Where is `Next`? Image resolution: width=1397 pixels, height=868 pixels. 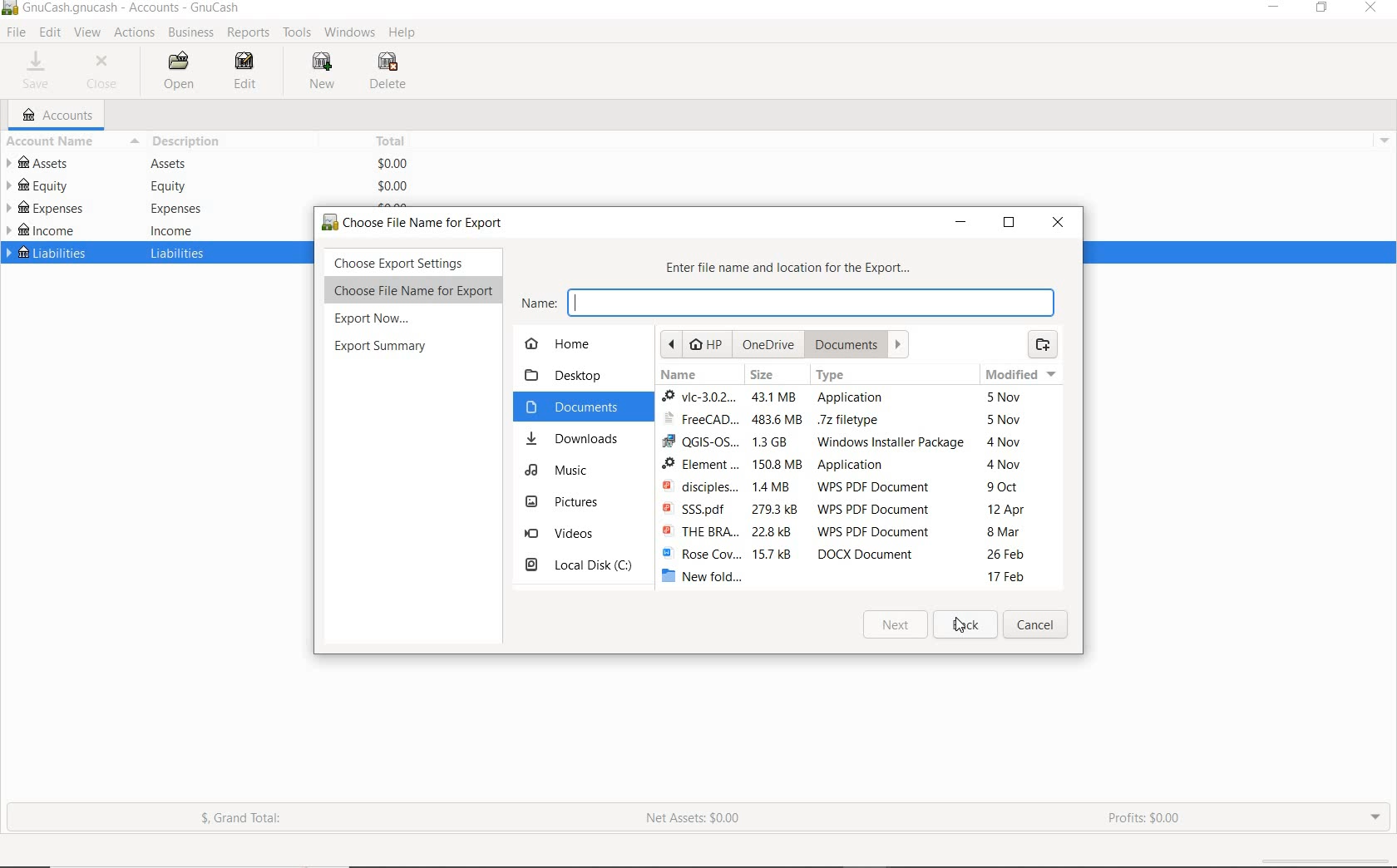 Next is located at coordinates (894, 624).